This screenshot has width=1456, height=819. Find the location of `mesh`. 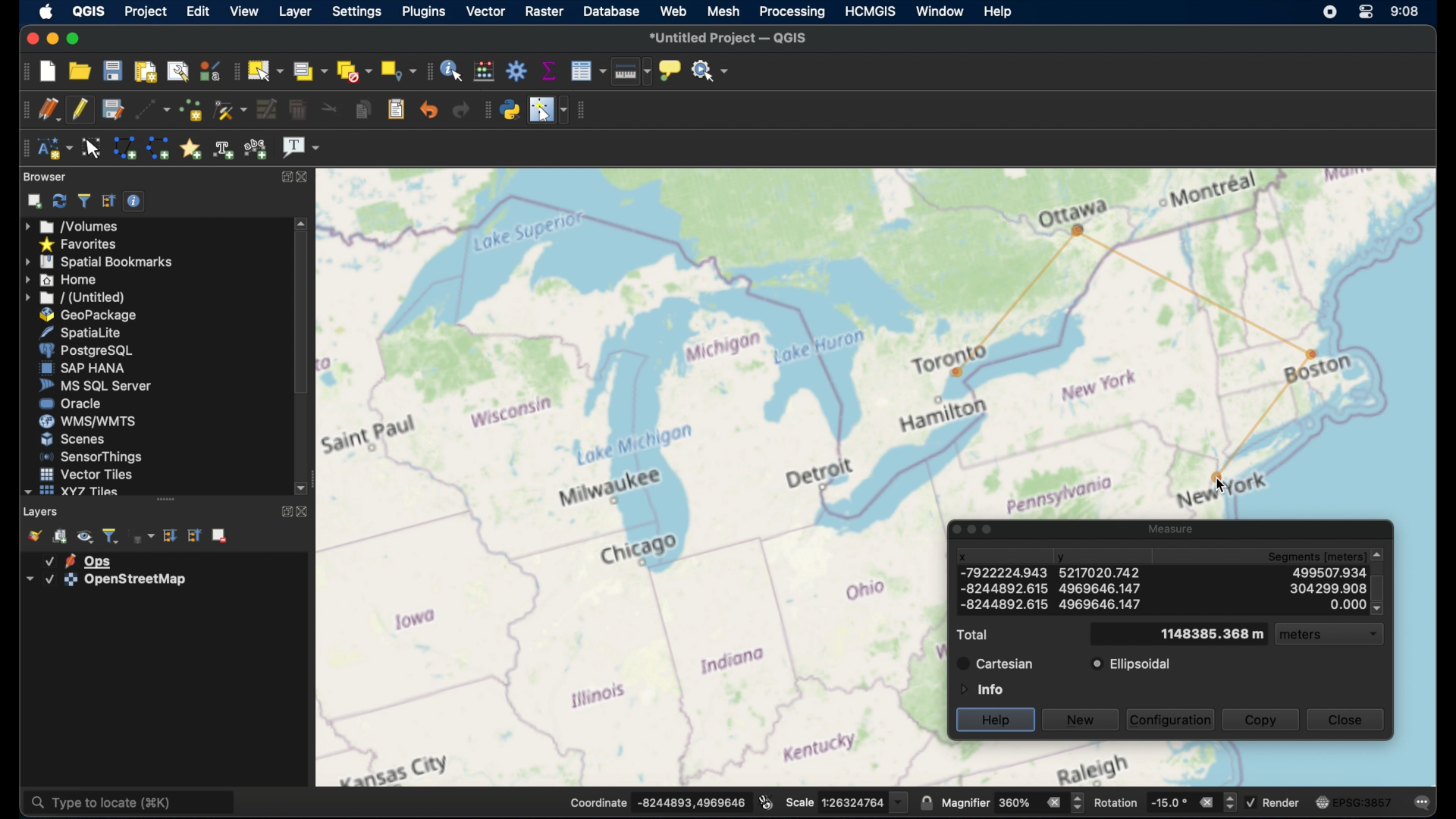

mesh is located at coordinates (723, 11).